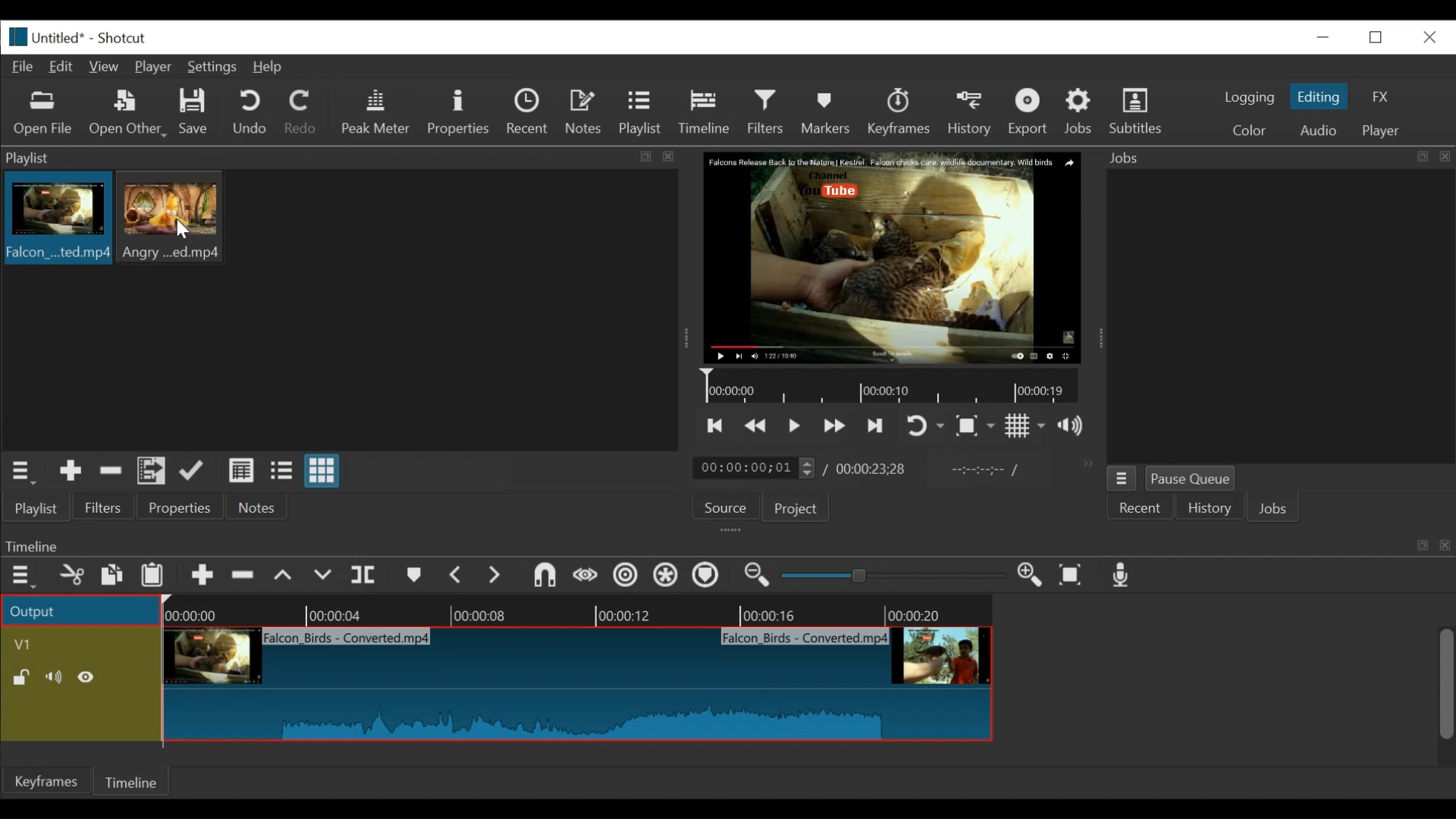  Describe the element at coordinates (770, 112) in the screenshot. I see `Filters` at that location.